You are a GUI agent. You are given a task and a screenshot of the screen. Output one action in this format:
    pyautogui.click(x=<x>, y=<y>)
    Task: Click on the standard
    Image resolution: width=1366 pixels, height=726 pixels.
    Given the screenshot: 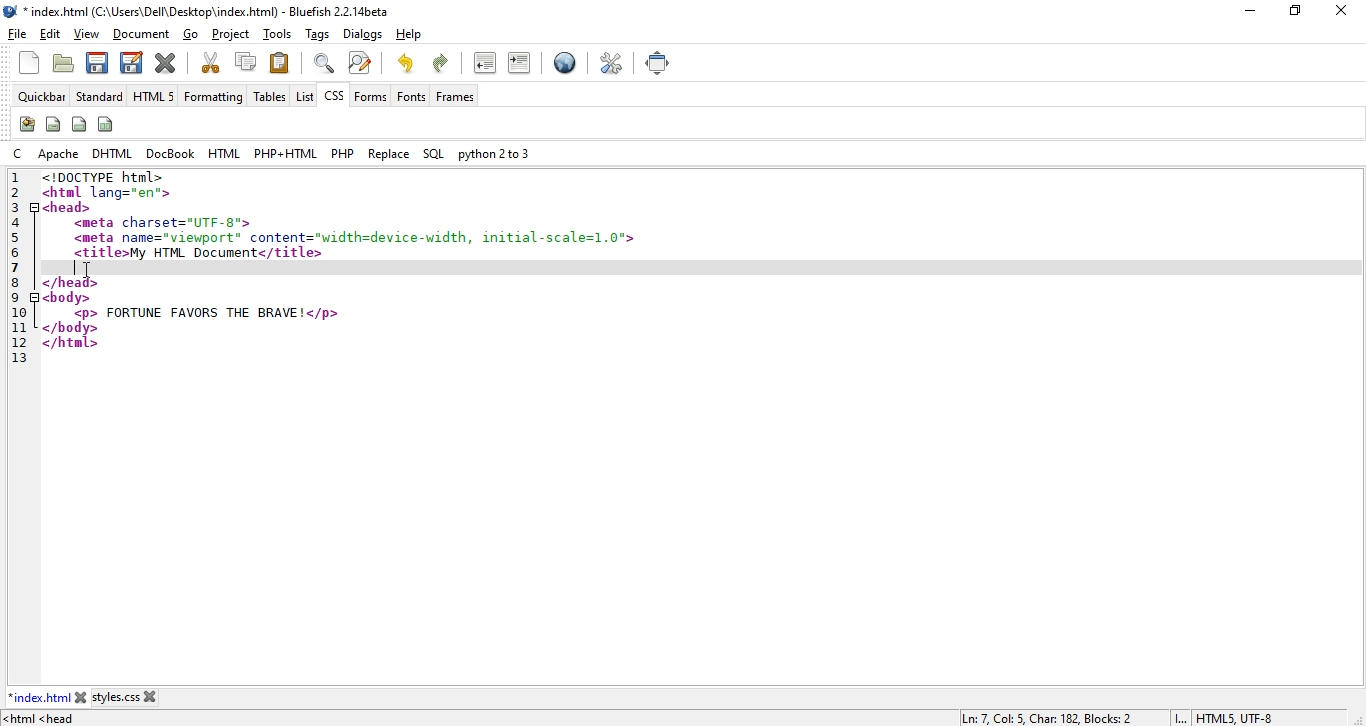 What is the action you would take?
    pyautogui.click(x=100, y=97)
    